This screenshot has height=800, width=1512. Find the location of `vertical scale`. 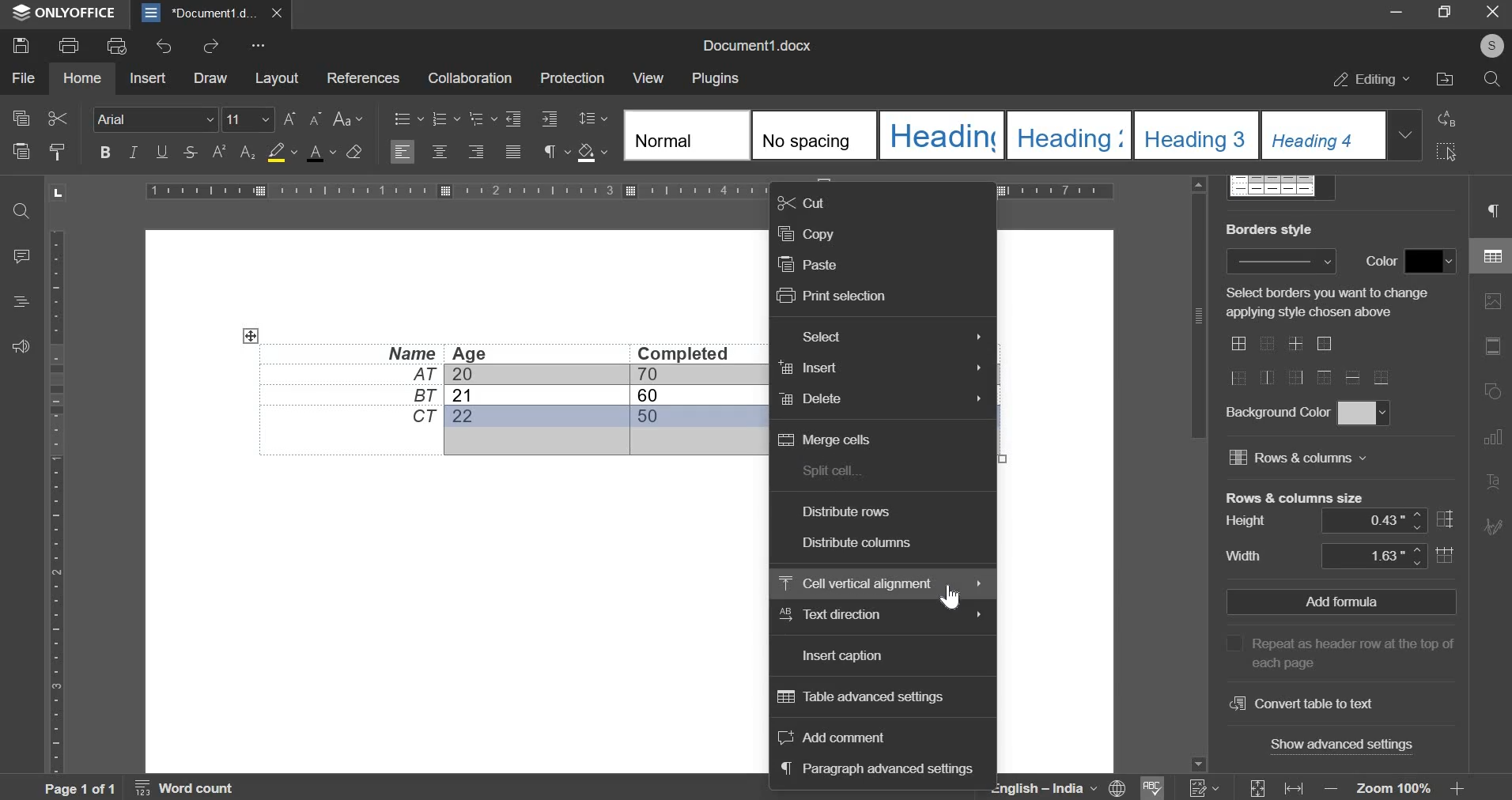

vertical scale is located at coordinates (633, 189).